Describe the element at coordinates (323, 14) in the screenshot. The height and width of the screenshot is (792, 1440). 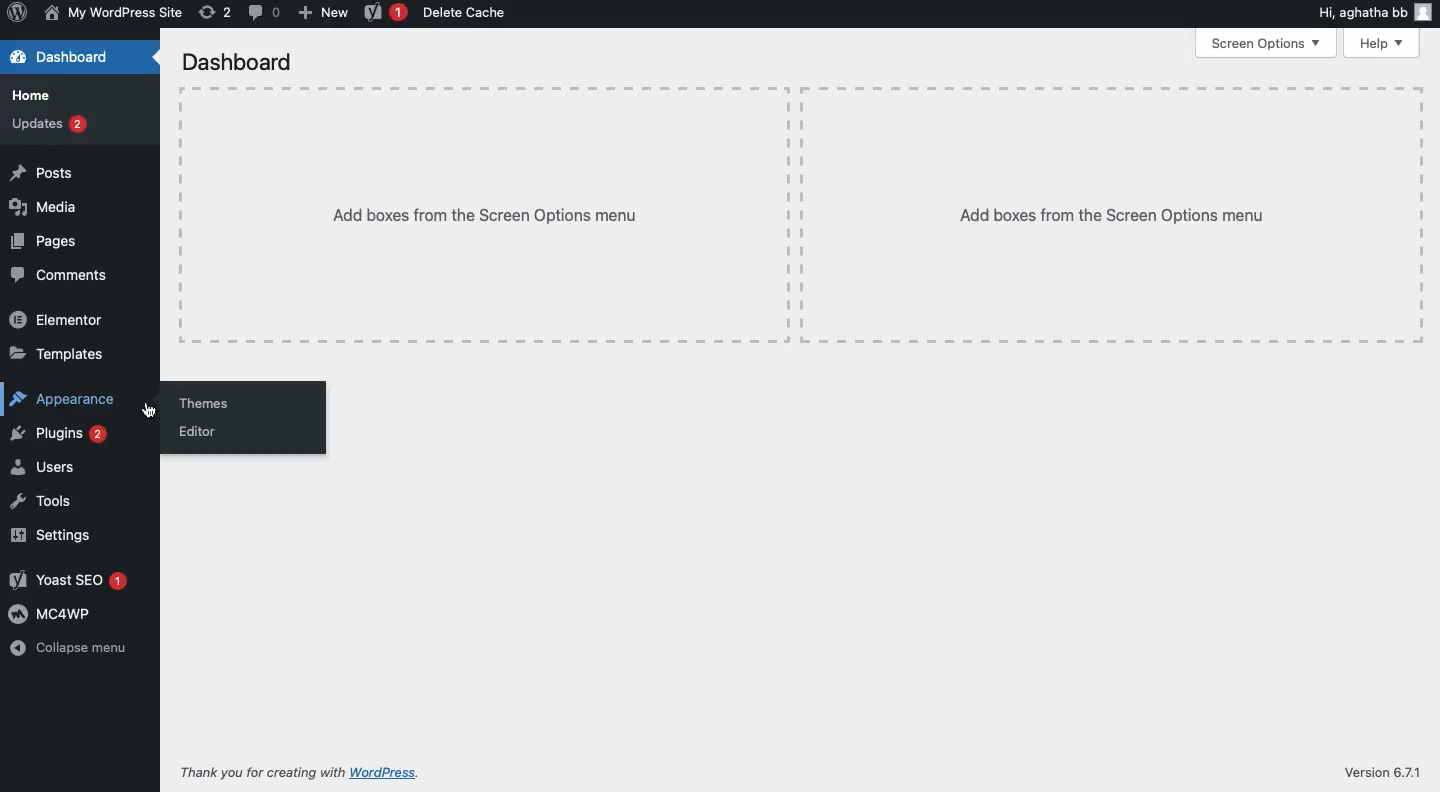
I see `New` at that location.